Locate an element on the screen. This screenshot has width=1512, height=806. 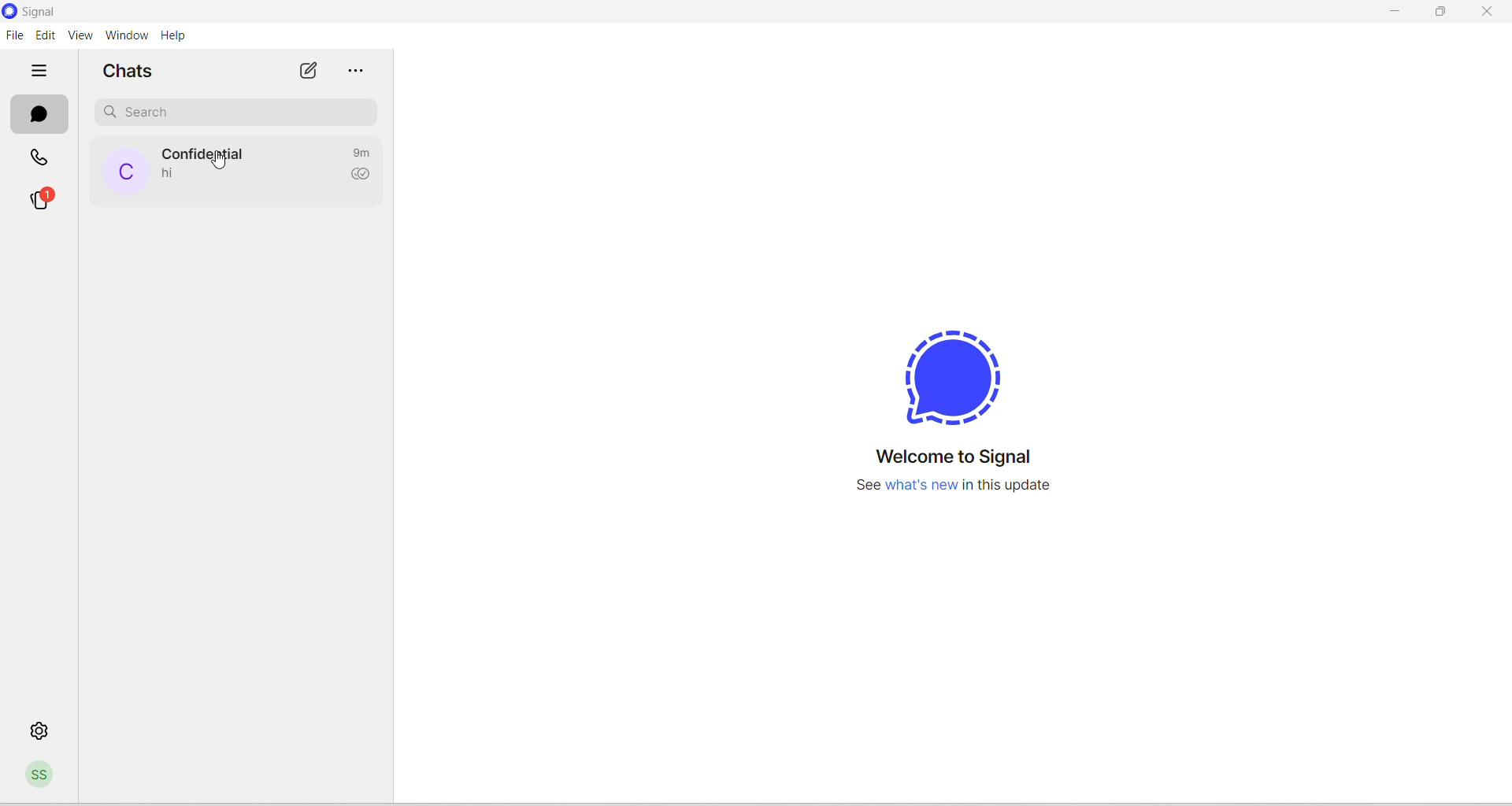
new chat is located at coordinates (309, 72).